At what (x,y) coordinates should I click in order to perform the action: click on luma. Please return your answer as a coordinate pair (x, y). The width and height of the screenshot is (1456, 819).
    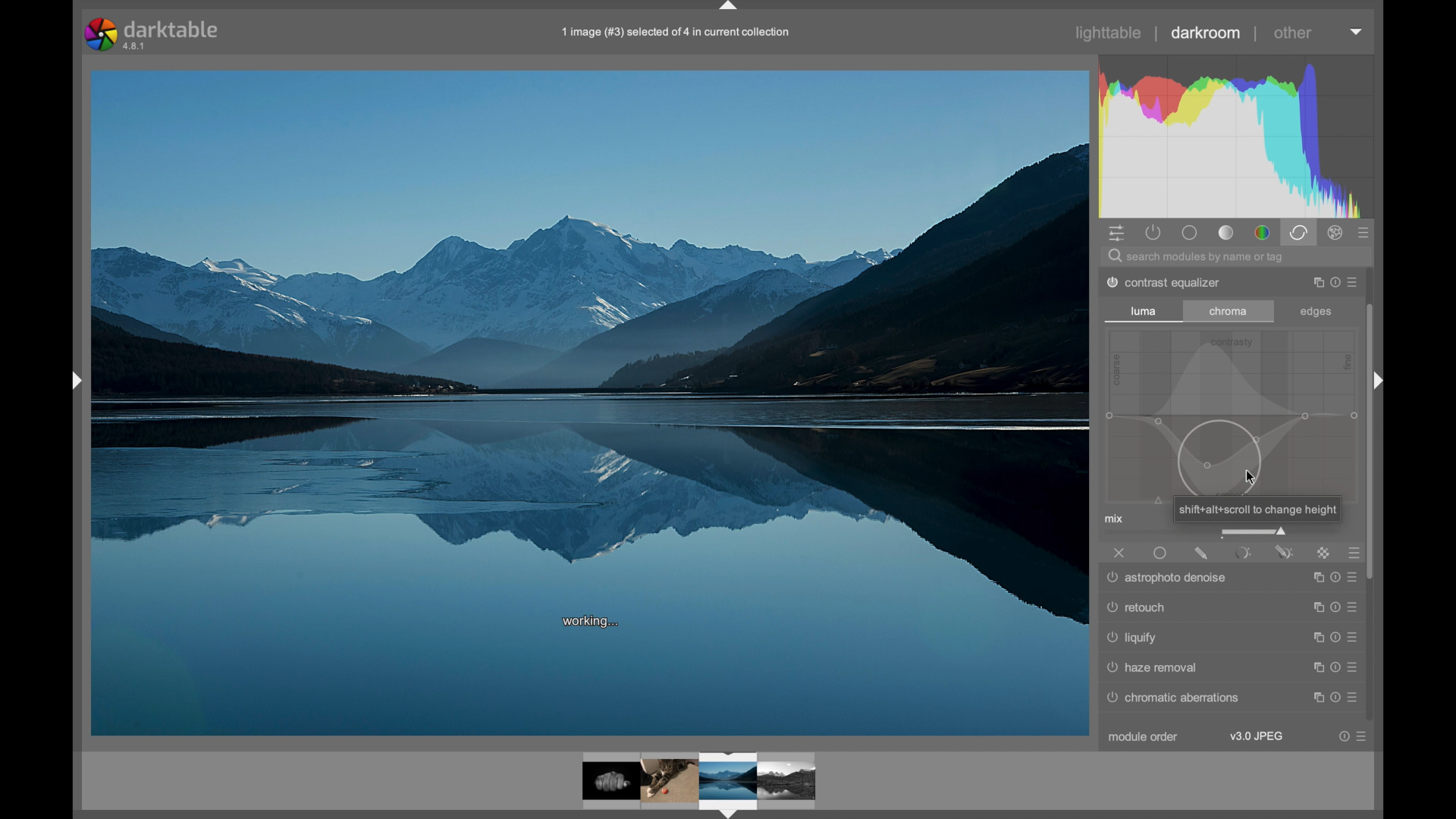
    Looking at the image, I should click on (1144, 310).